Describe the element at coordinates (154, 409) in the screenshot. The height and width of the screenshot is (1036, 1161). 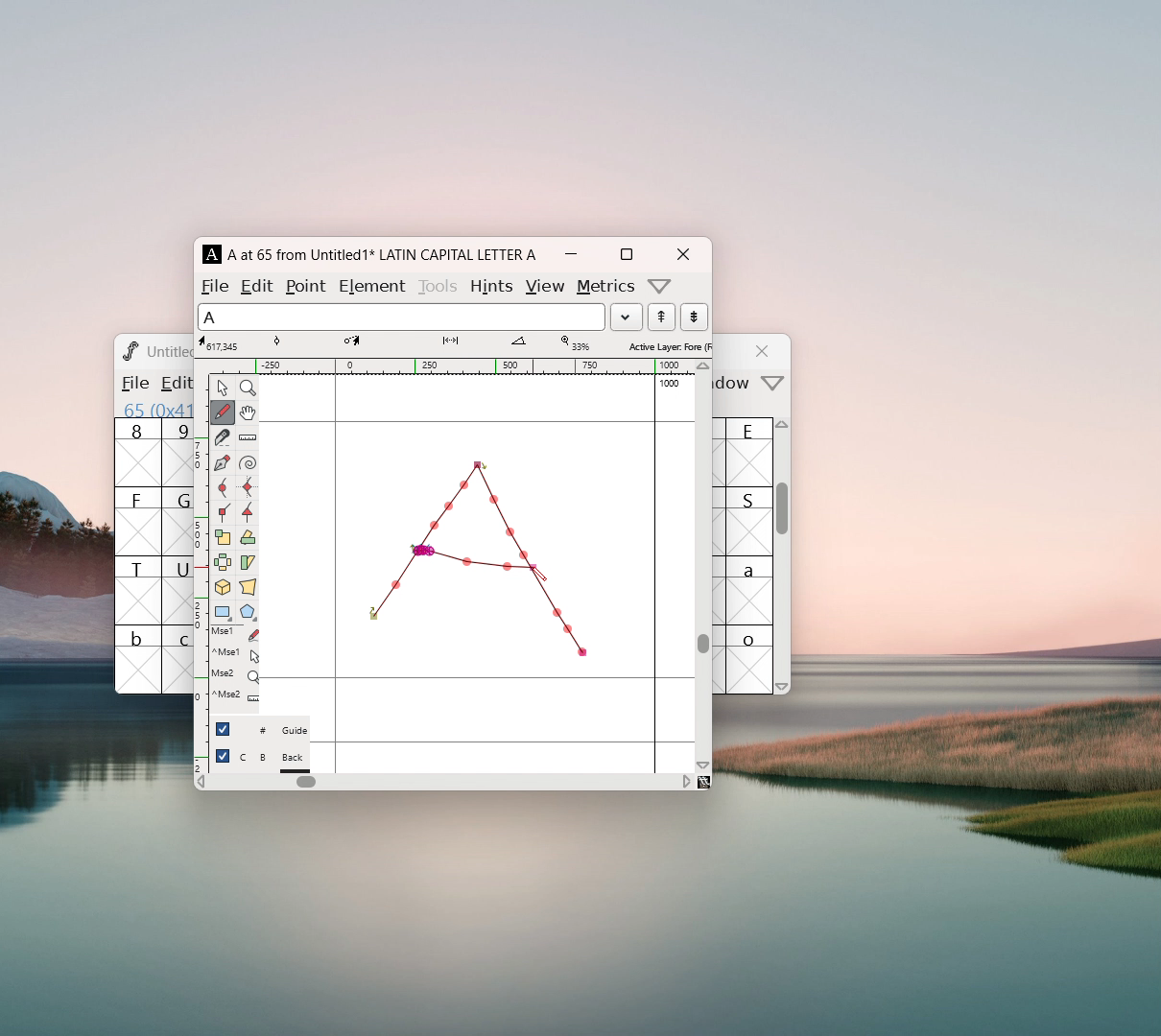
I see `65 (0x41` at that location.